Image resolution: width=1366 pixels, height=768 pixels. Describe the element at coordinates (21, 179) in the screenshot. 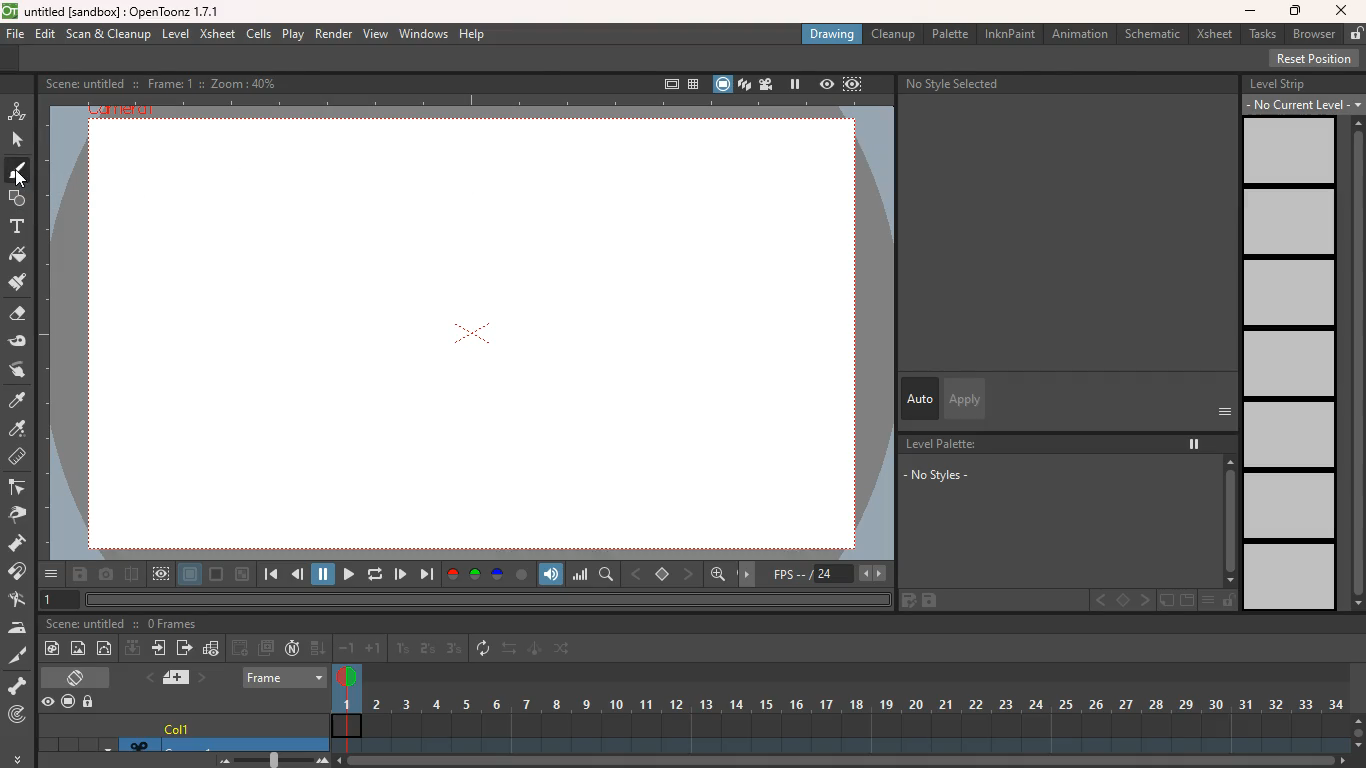

I see `Cursor` at that location.